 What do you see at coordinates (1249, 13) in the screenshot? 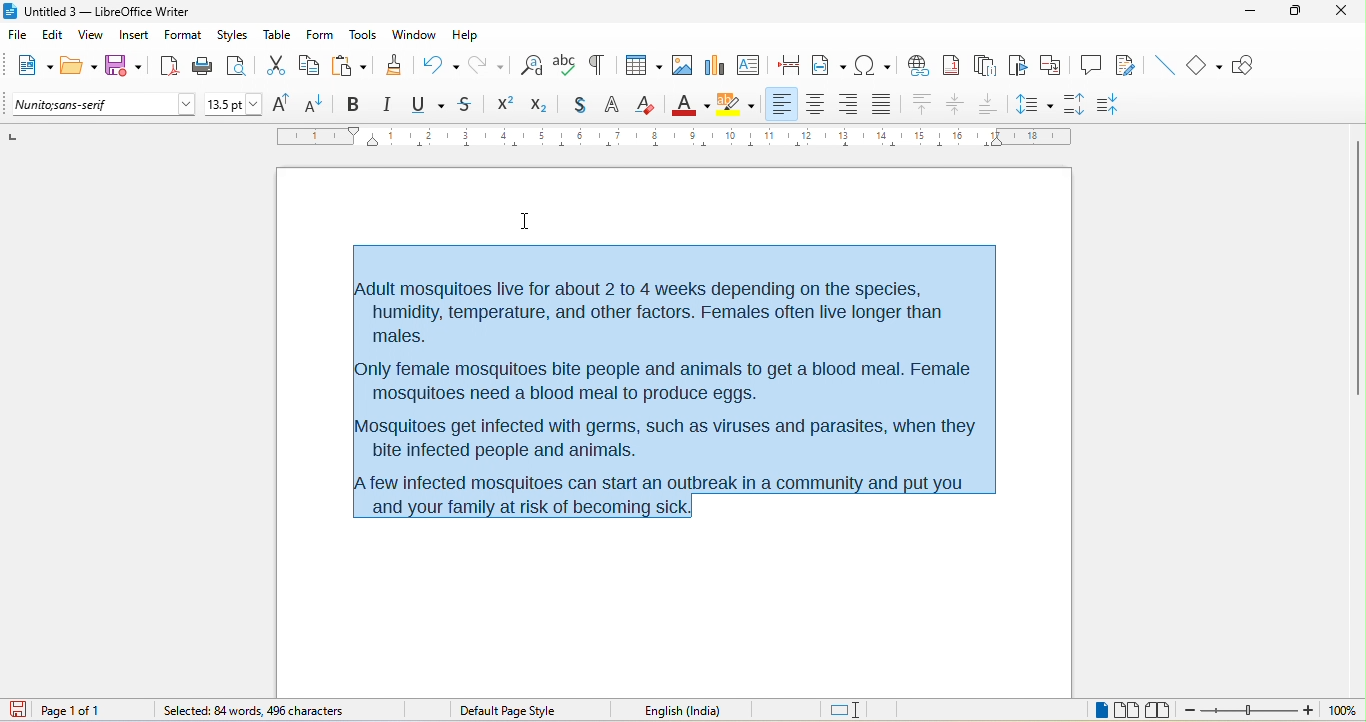
I see `minimize` at bounding box center [1249, 13].